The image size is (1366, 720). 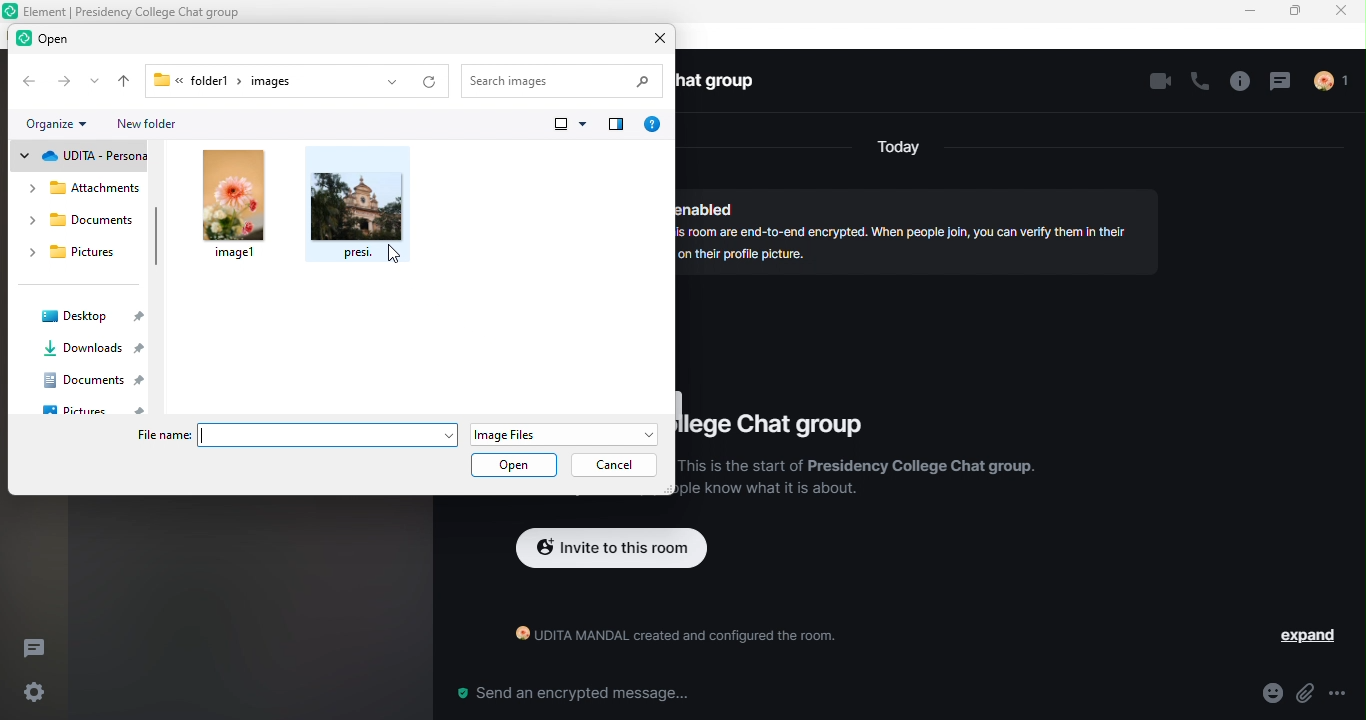 I want to click on close, so click(x=1344, y=14).